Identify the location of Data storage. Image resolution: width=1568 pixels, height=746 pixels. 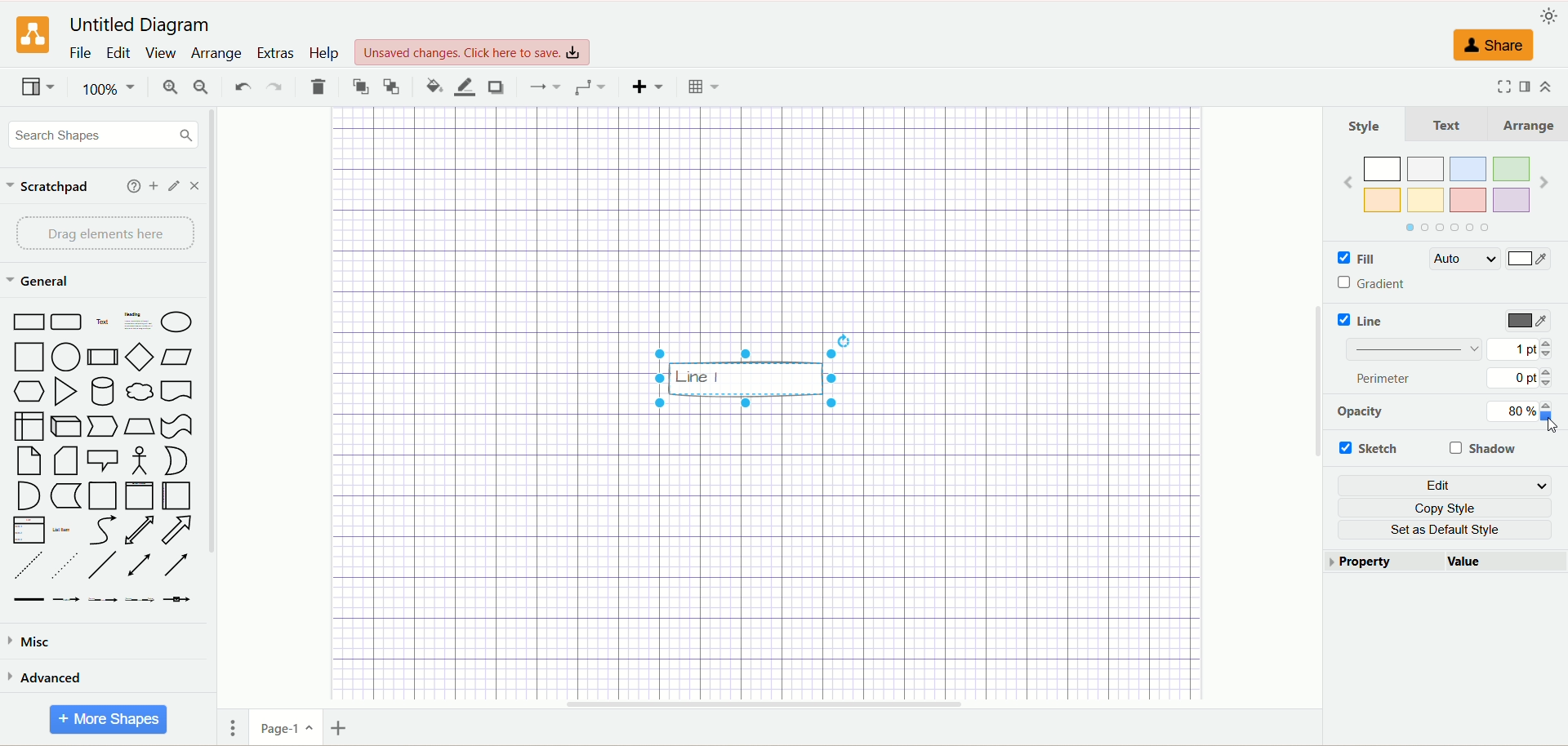
(65, 496).